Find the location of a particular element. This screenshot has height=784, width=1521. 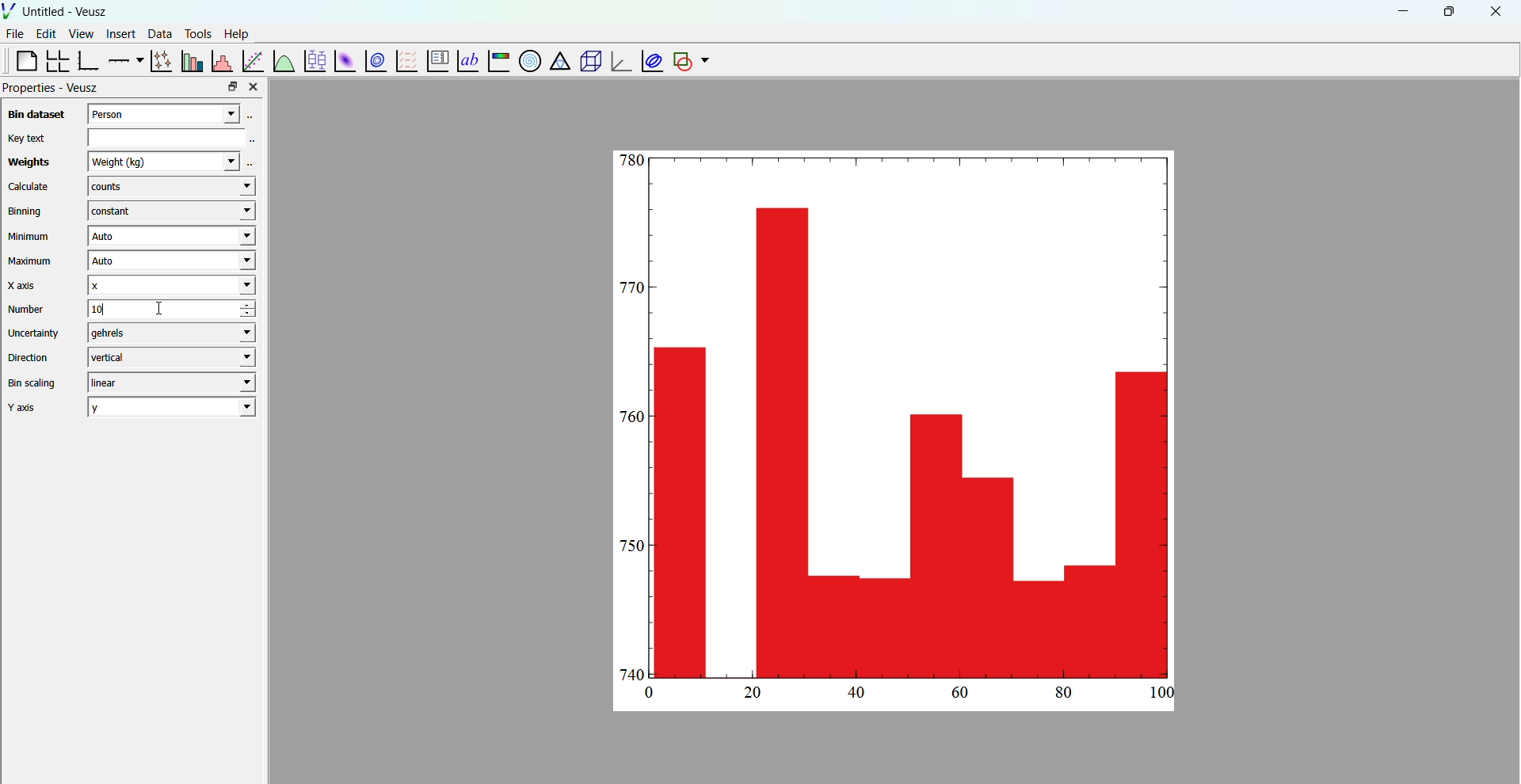

Arrange a graph in a grid is located at coordinates (56, 62).